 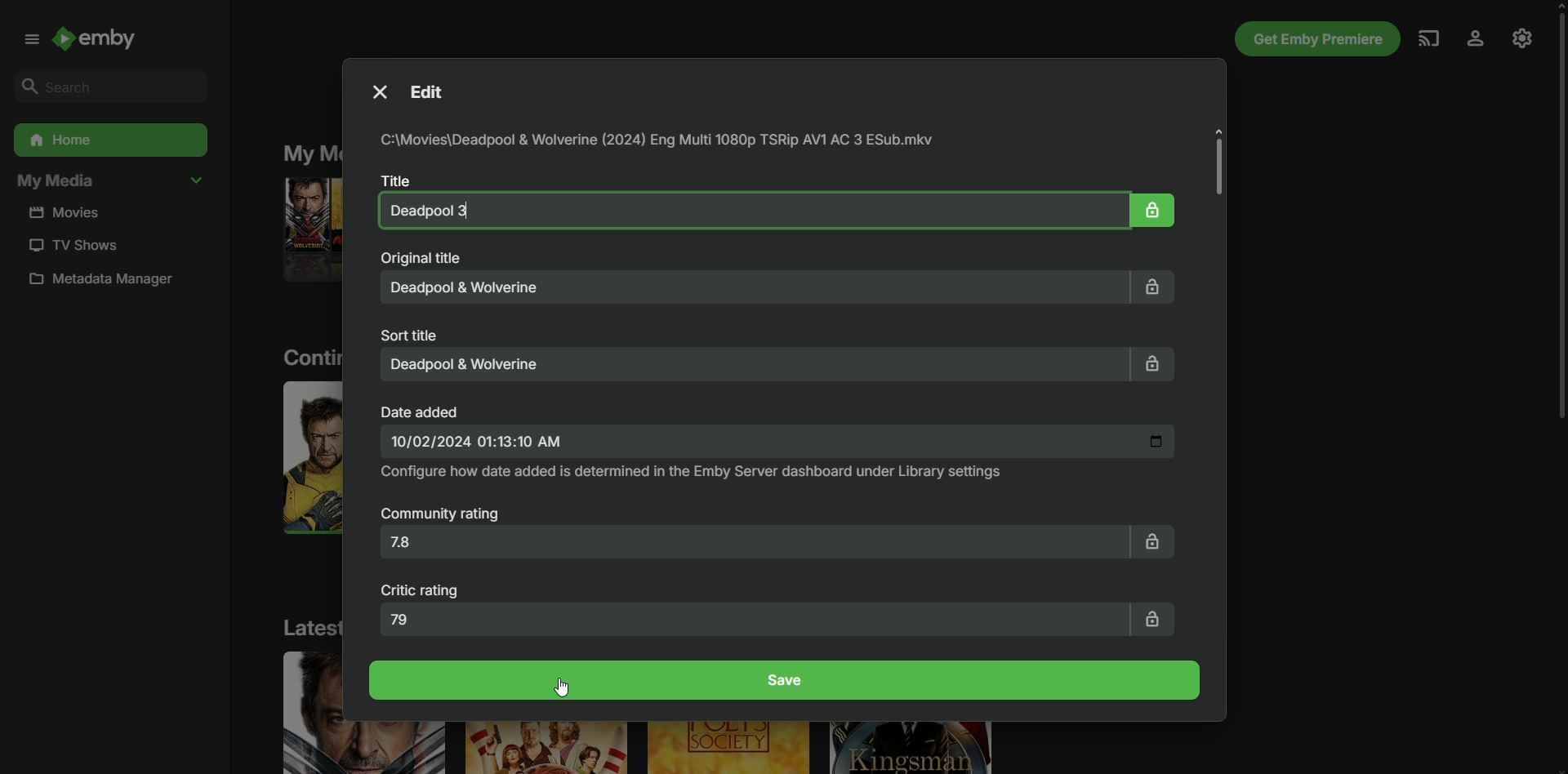 I want to click on Deadpool and Wolverine, so click(x=747, y=210).